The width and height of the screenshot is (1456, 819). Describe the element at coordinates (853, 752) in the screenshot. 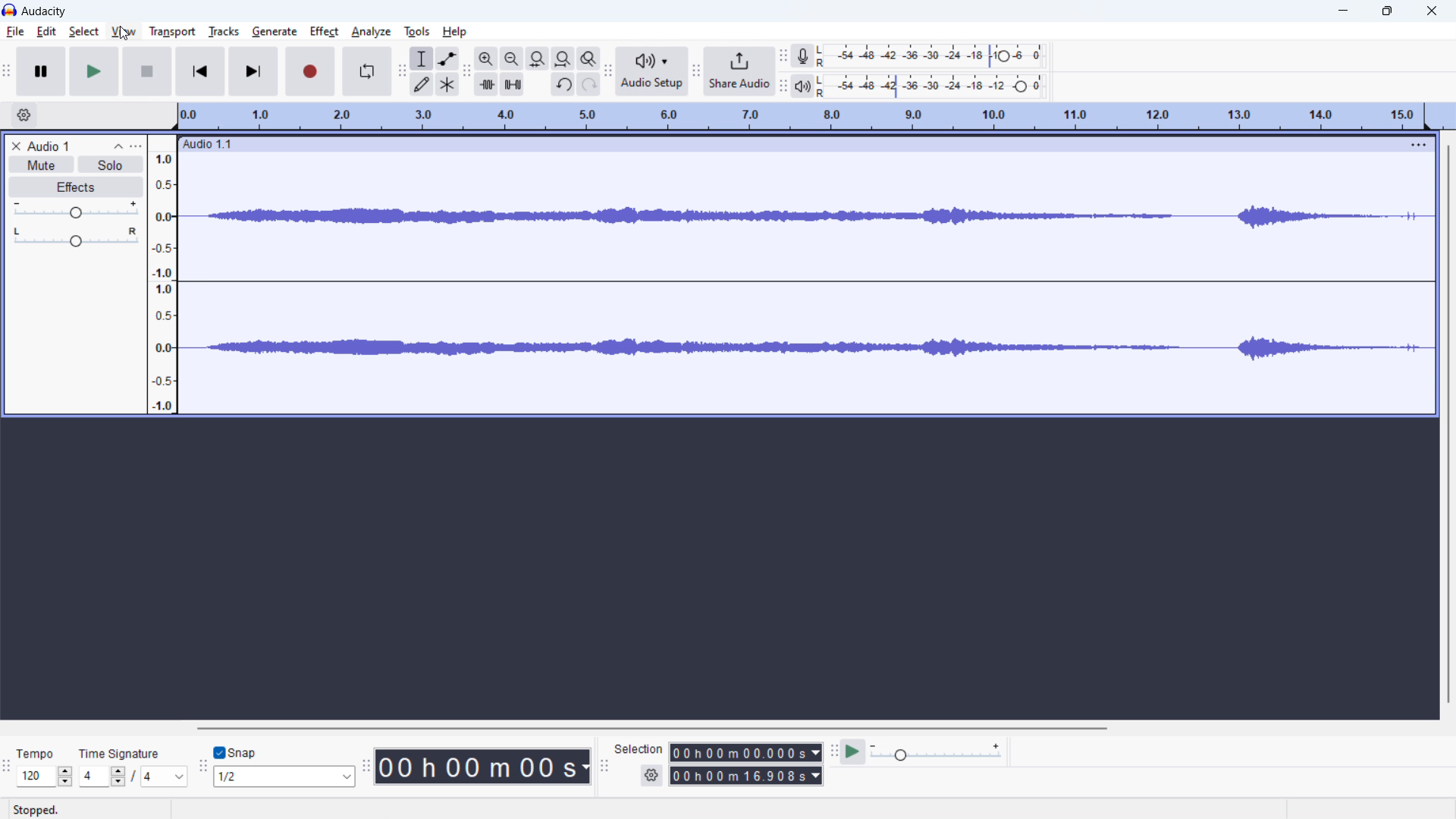

I see `play at speed` at that location.